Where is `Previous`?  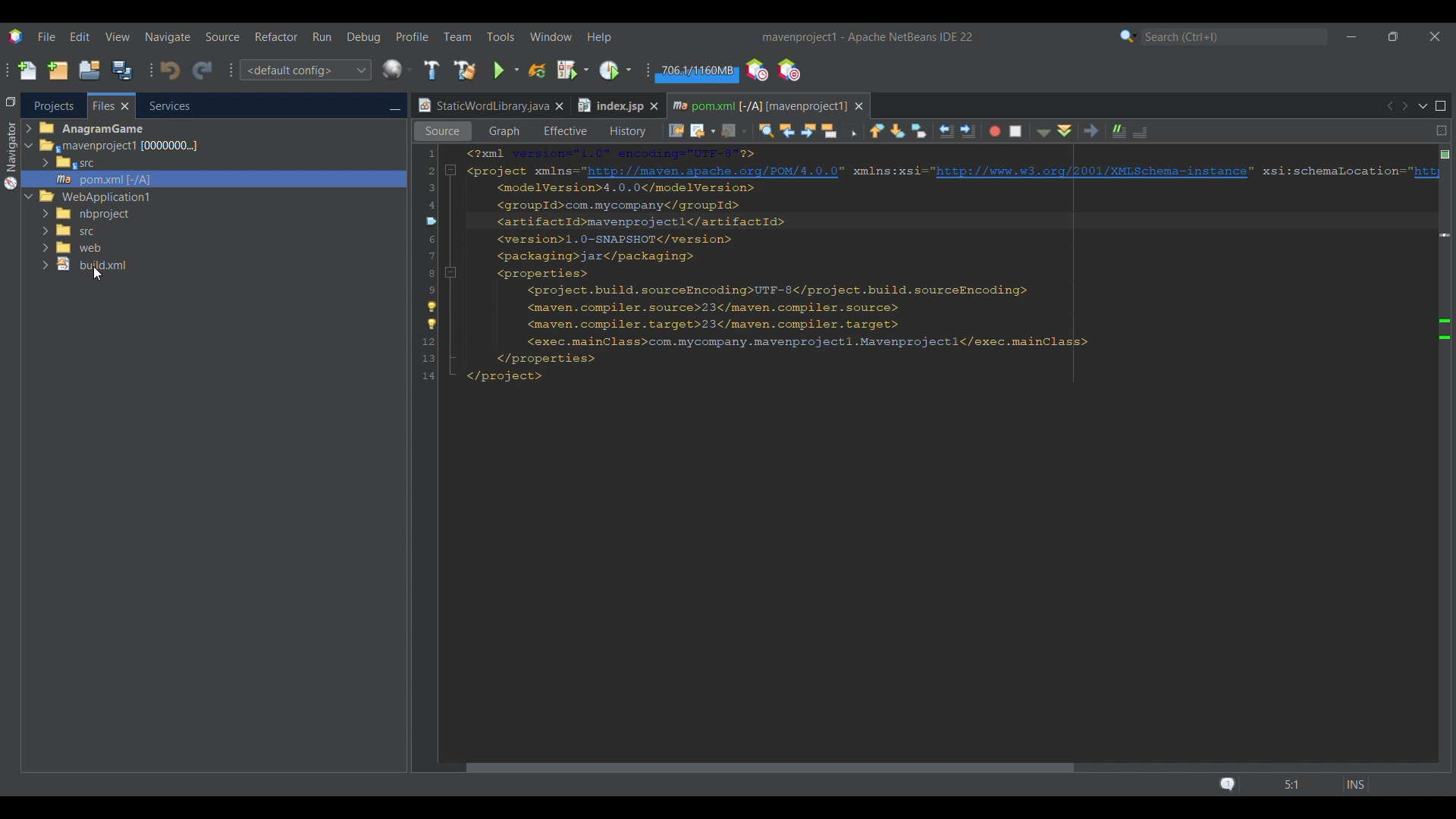
Previous is located at coordinates (1389, 106).